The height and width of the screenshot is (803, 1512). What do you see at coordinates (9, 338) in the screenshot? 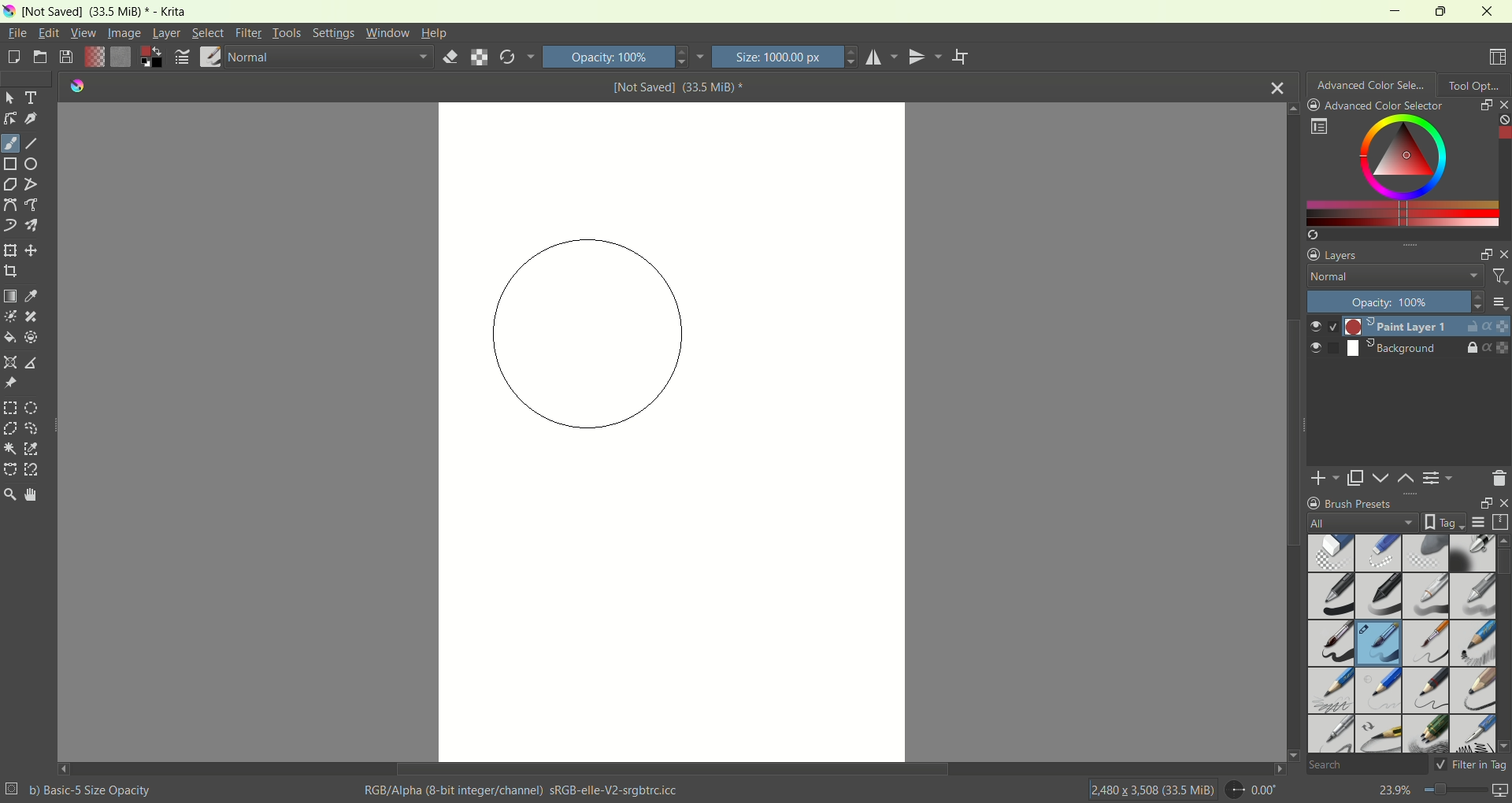
I see `fill a contiguous area` at bounding box center [9, 338].